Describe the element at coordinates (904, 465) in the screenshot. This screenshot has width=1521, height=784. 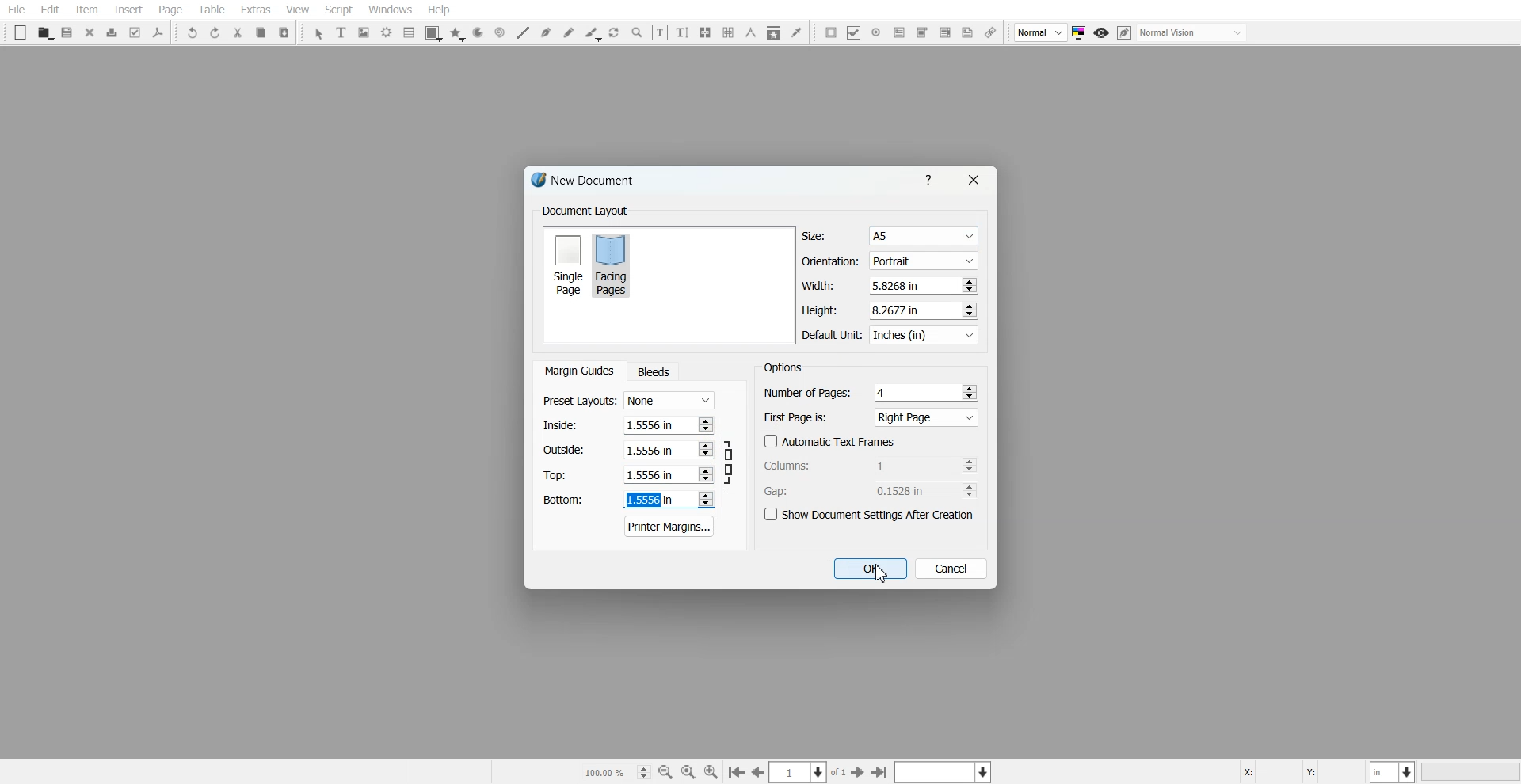
I see `1` at that location.